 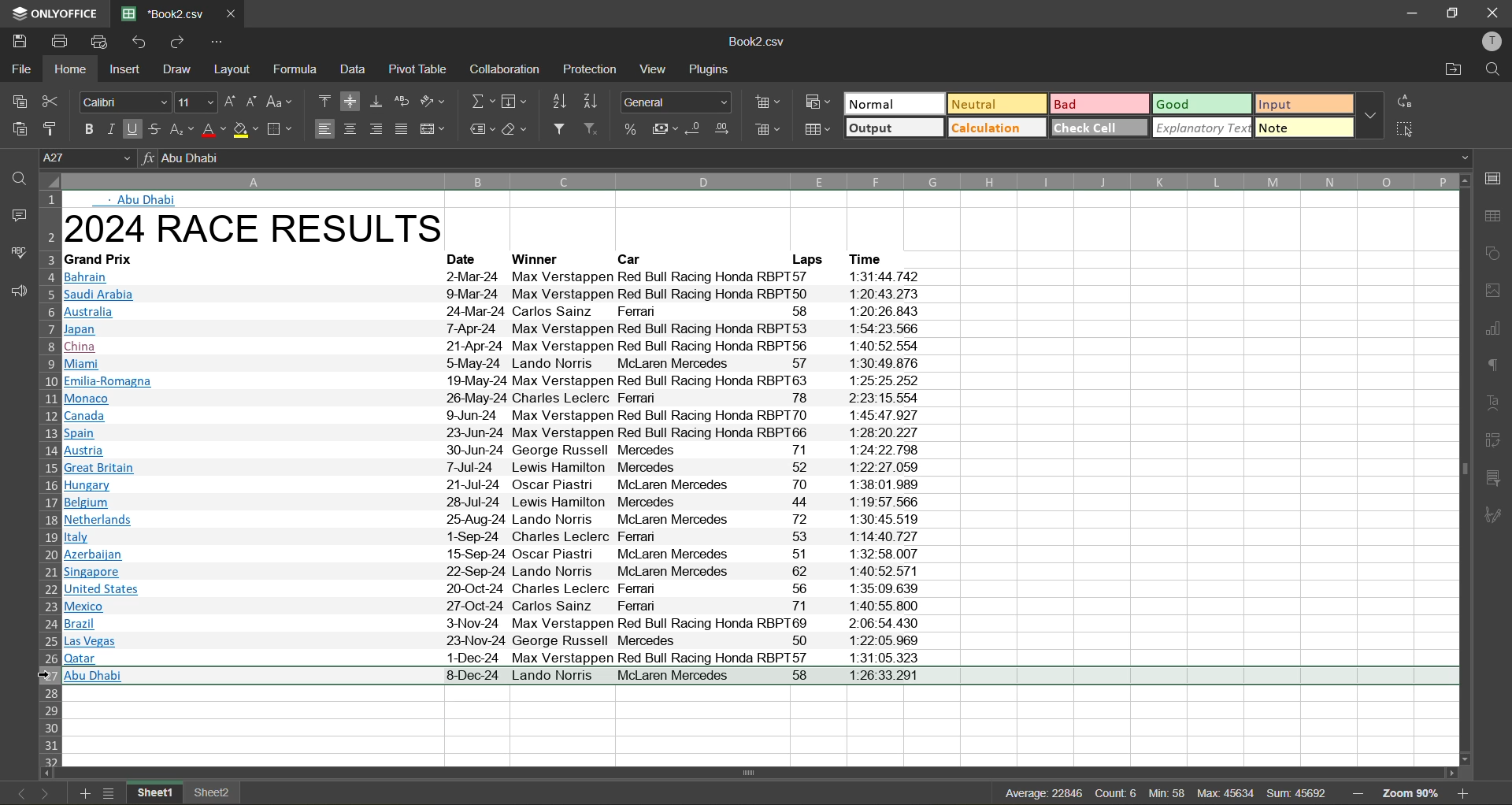 I want to click on next, so click(x=43, y=793).